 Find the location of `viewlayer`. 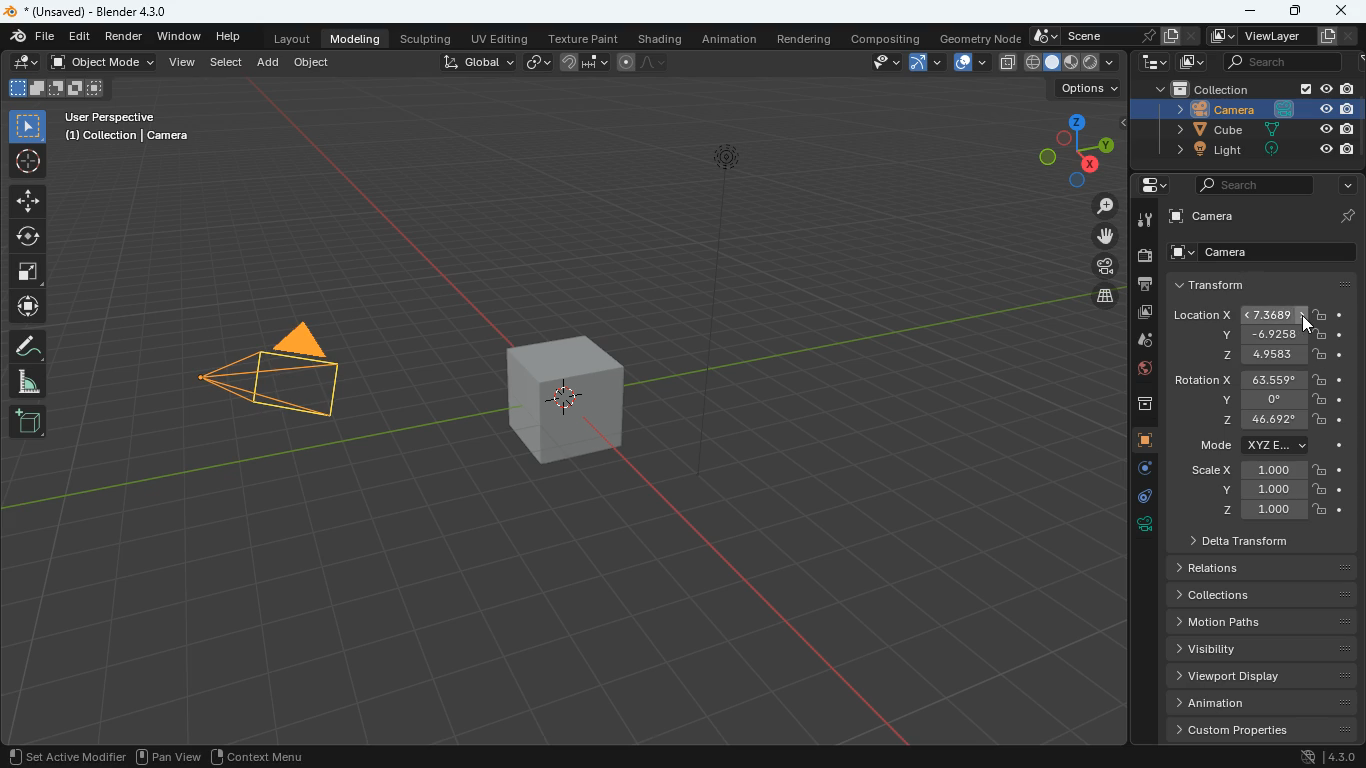

viewlayer is located at coordinates (1280, 36).